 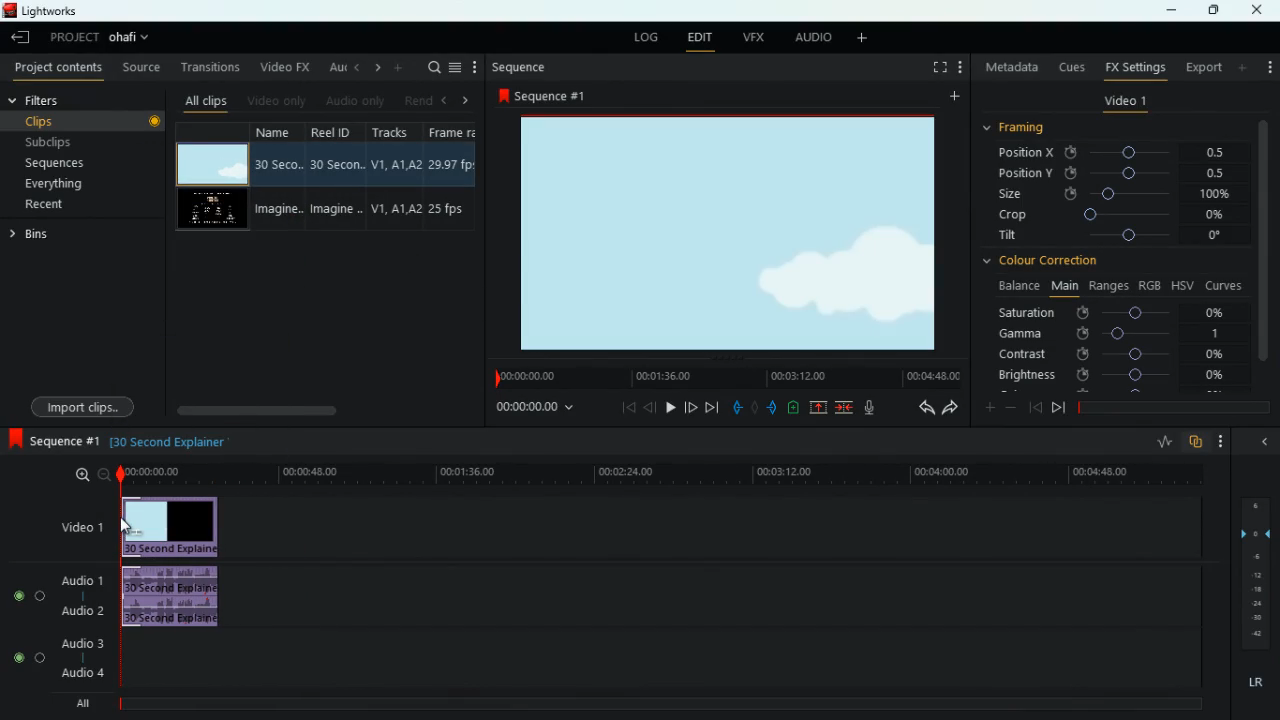 I want to click on 0 (layer), so click(x=1252, y=531).